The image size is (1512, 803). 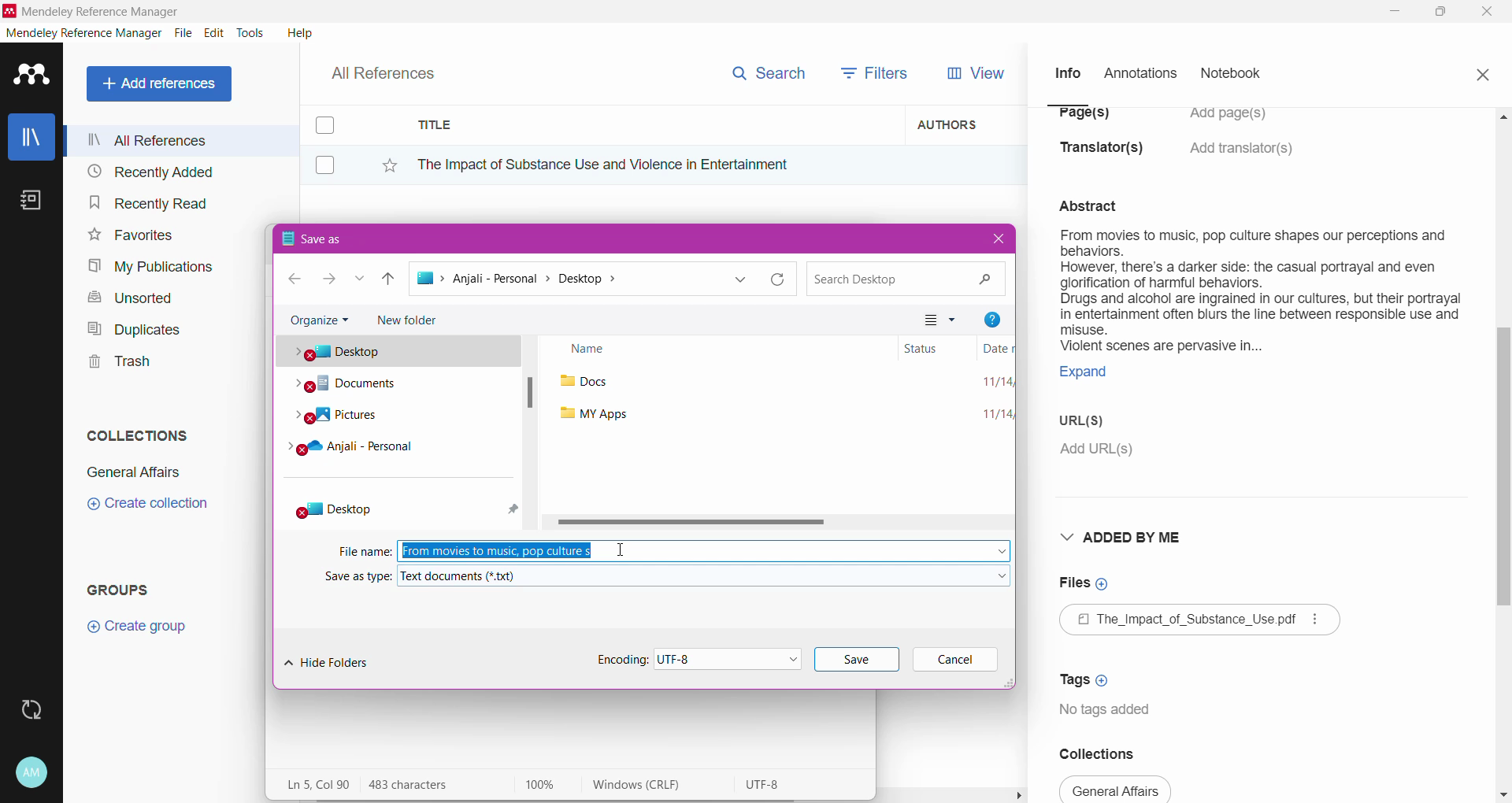 I want to click on Tools, so click(x=251, y=33).